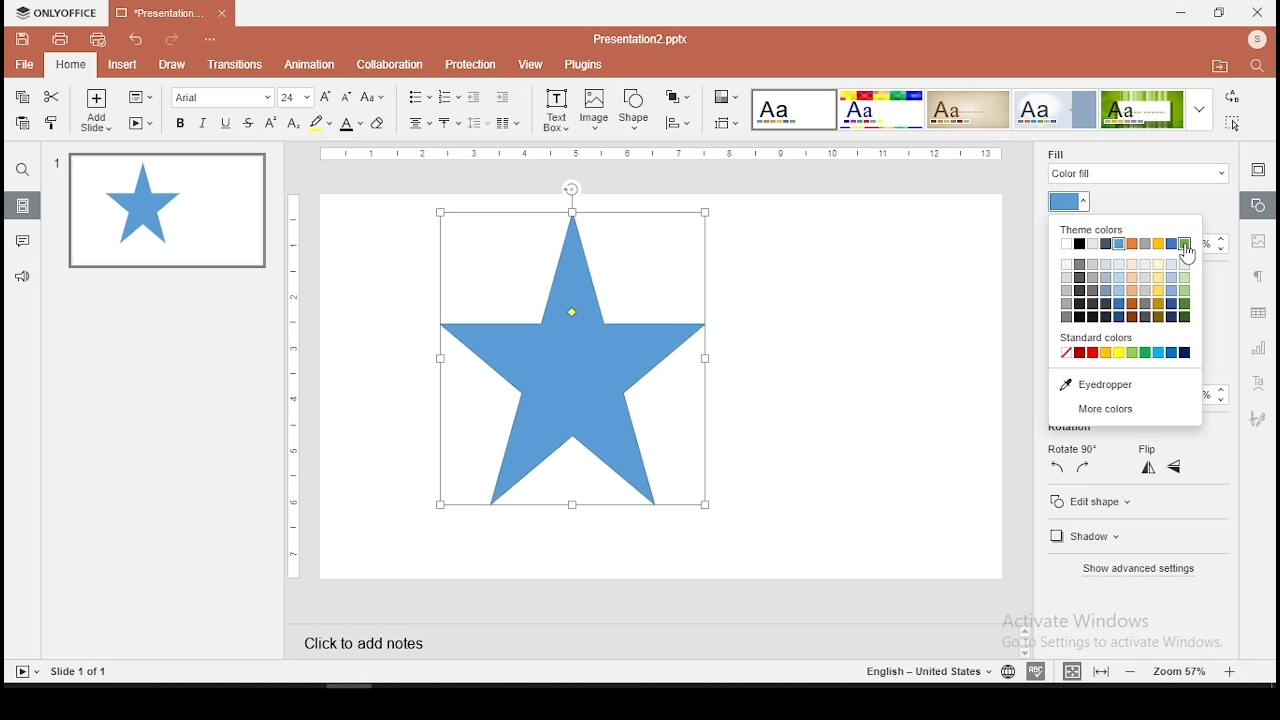 The image size is (1280, 720). Describe the element at coordinates (1258, 12) in the screenshot. I see `close window` at that location.